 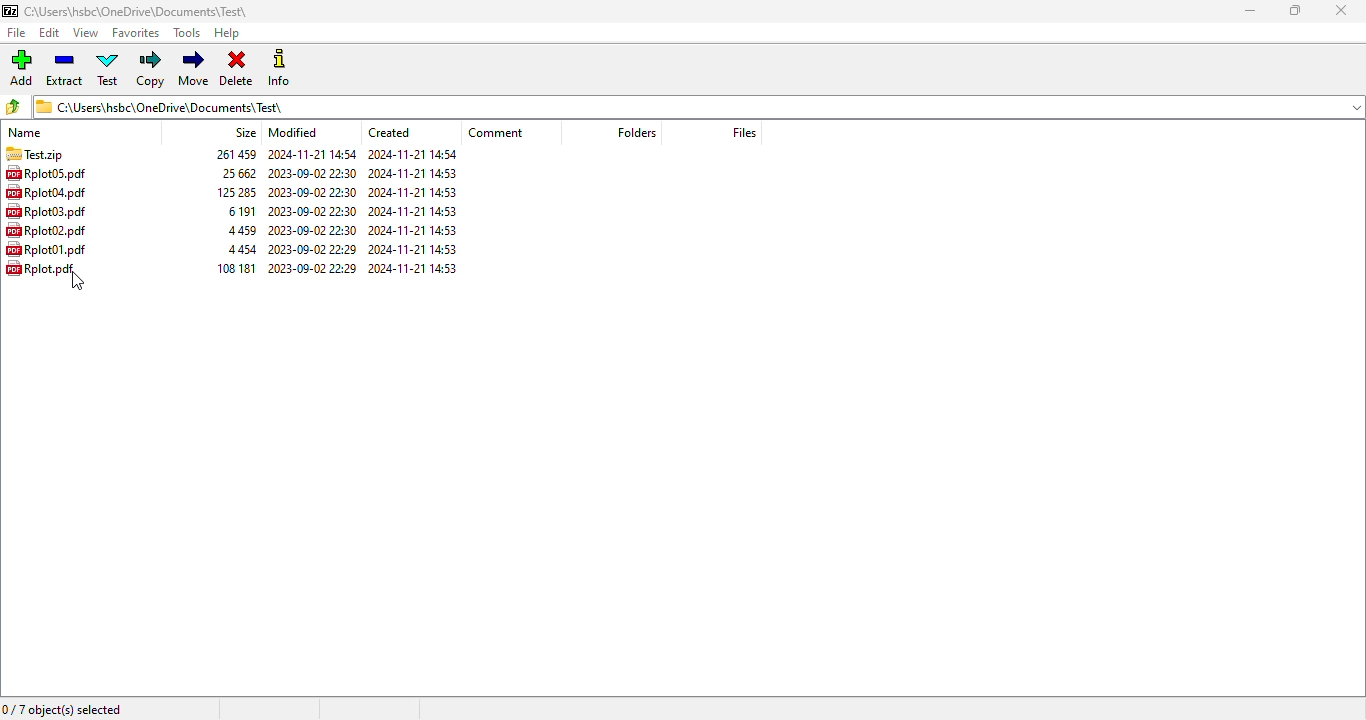 What do you see at coordinates (422, 268) in the screenshot?
I see ` 2024-11-21 14:53` at bounding box center [422, 268].